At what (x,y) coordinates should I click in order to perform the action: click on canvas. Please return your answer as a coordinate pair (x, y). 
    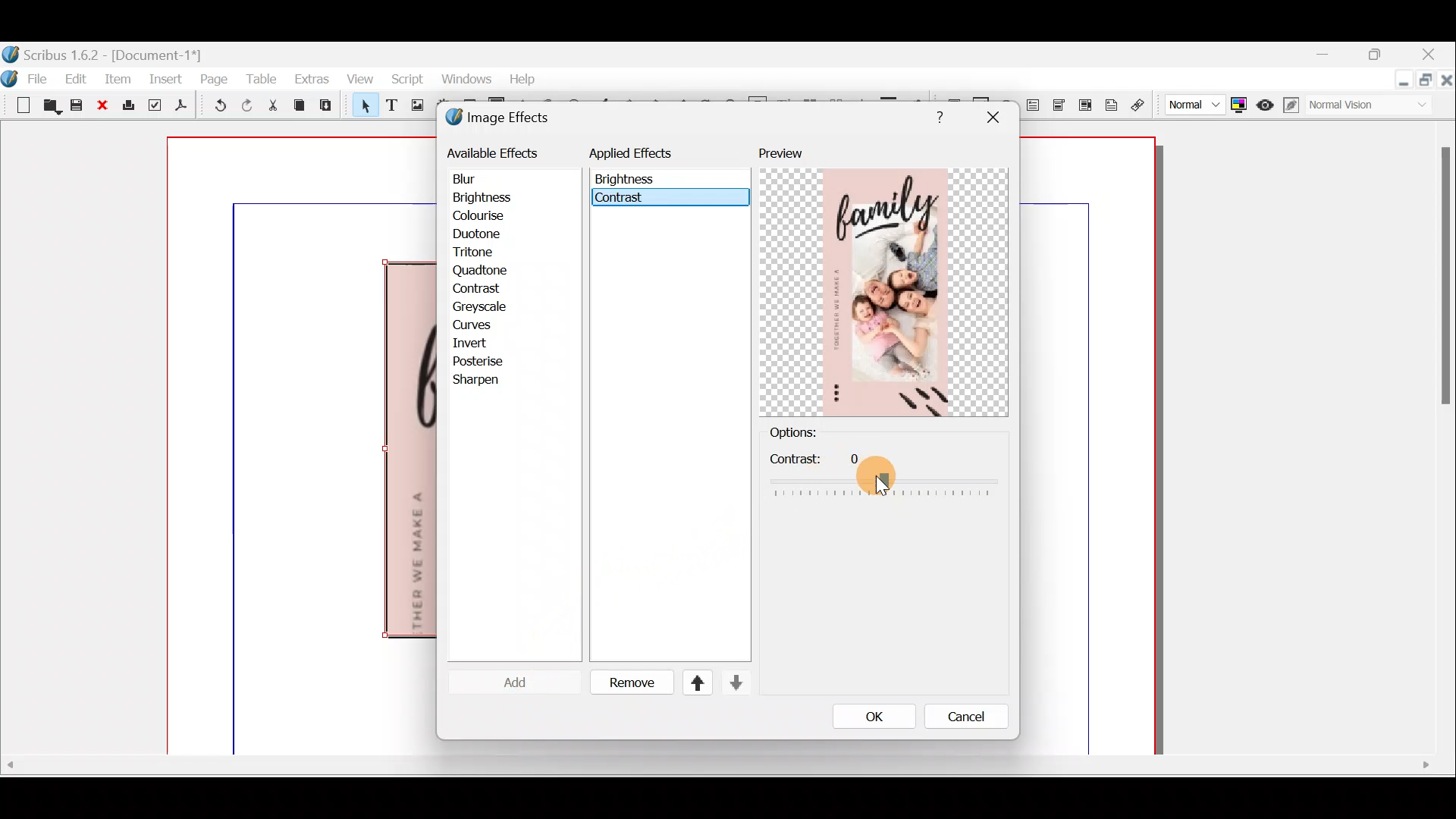
    Looking at the image, I should click on (1089, 447).